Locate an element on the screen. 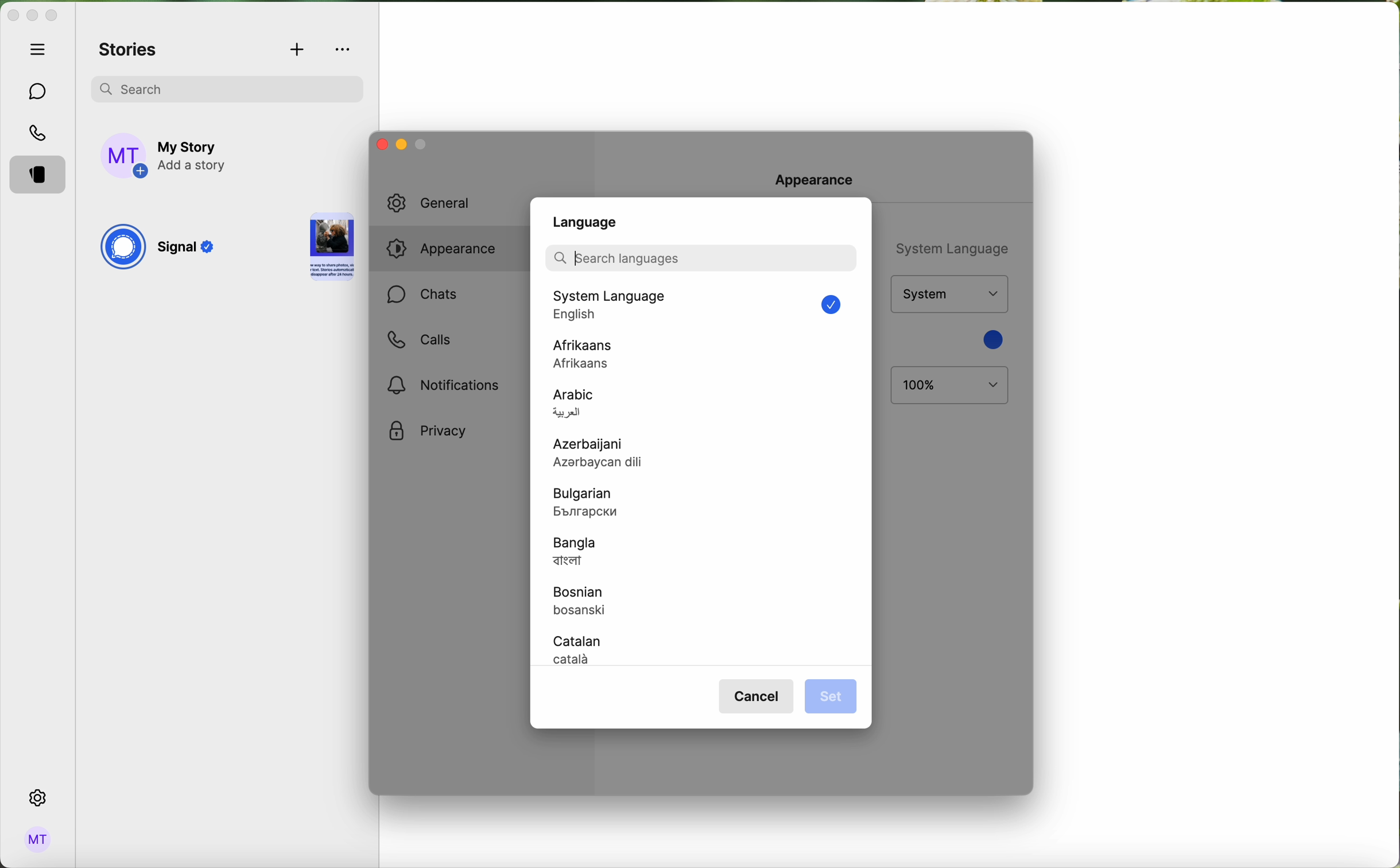  Appearance is located at coordinates (823, 180).